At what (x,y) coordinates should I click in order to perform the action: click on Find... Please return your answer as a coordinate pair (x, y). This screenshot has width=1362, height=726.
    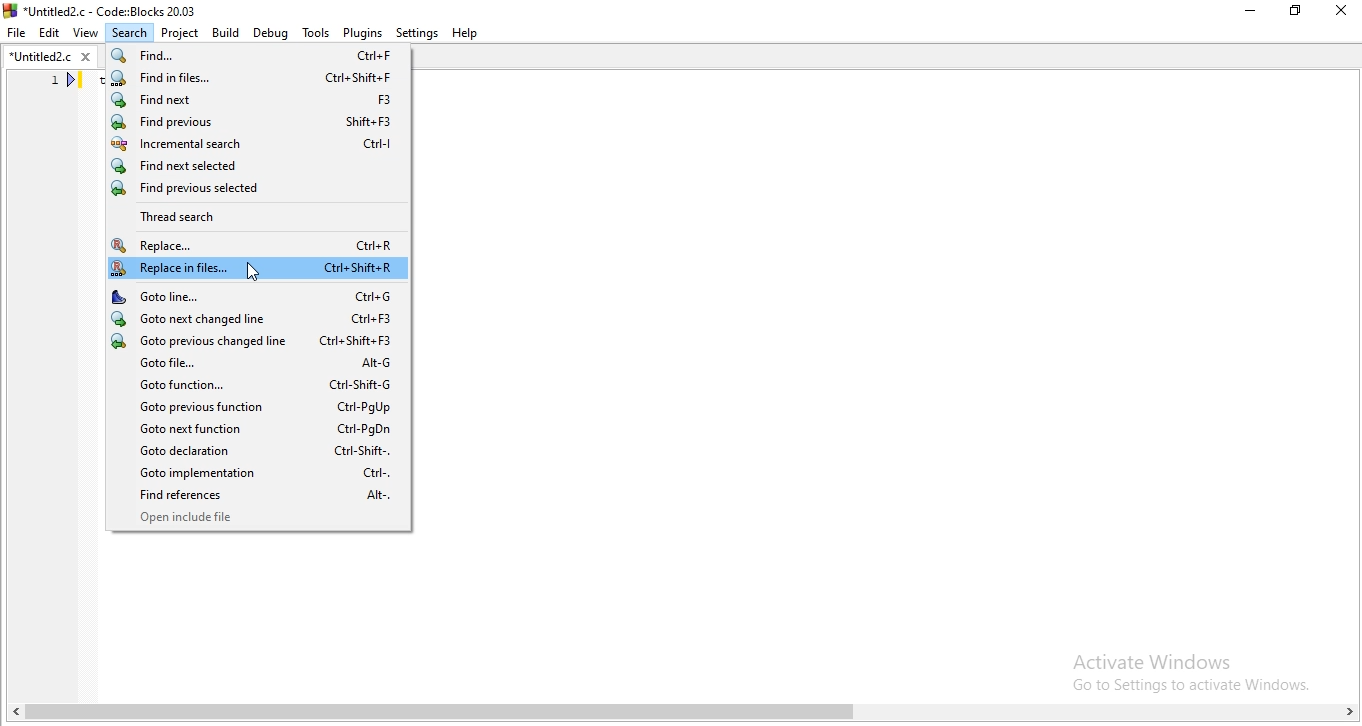
    Looking at the image, I should click on (257, 56).